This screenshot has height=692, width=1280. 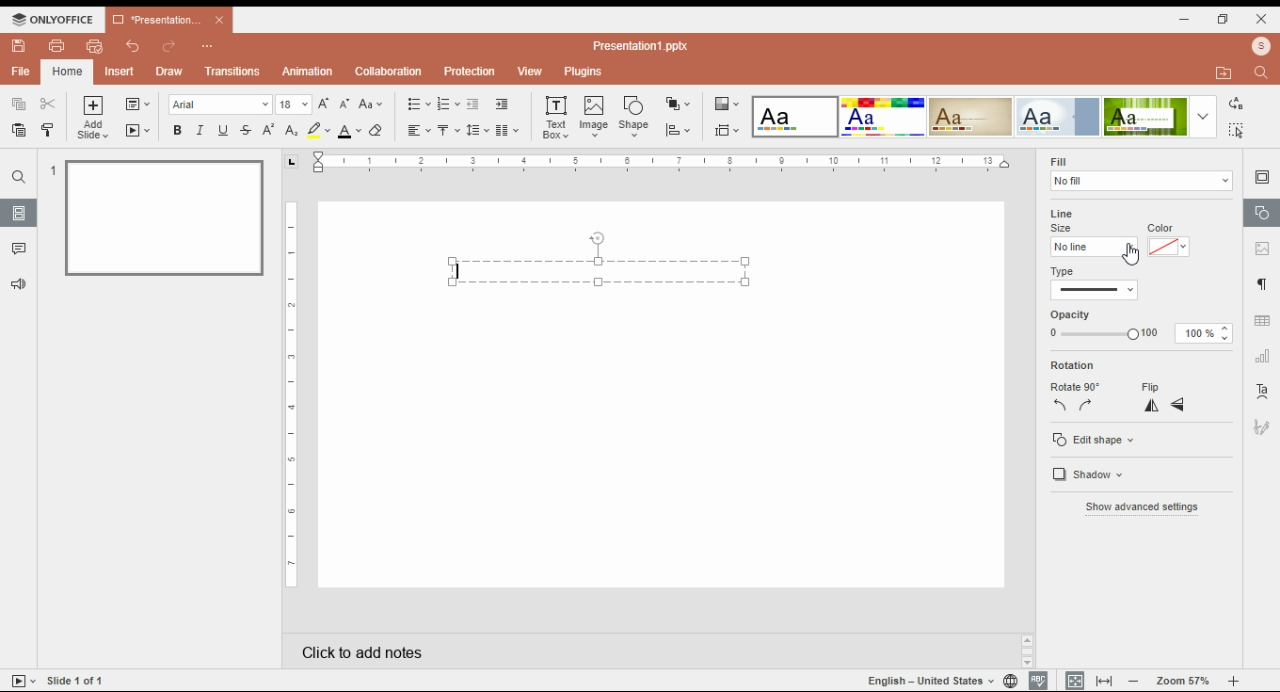 What do you see at coordinates (135, 47) in the screenshot?
I see `undo` at bounding box center [135, 47].